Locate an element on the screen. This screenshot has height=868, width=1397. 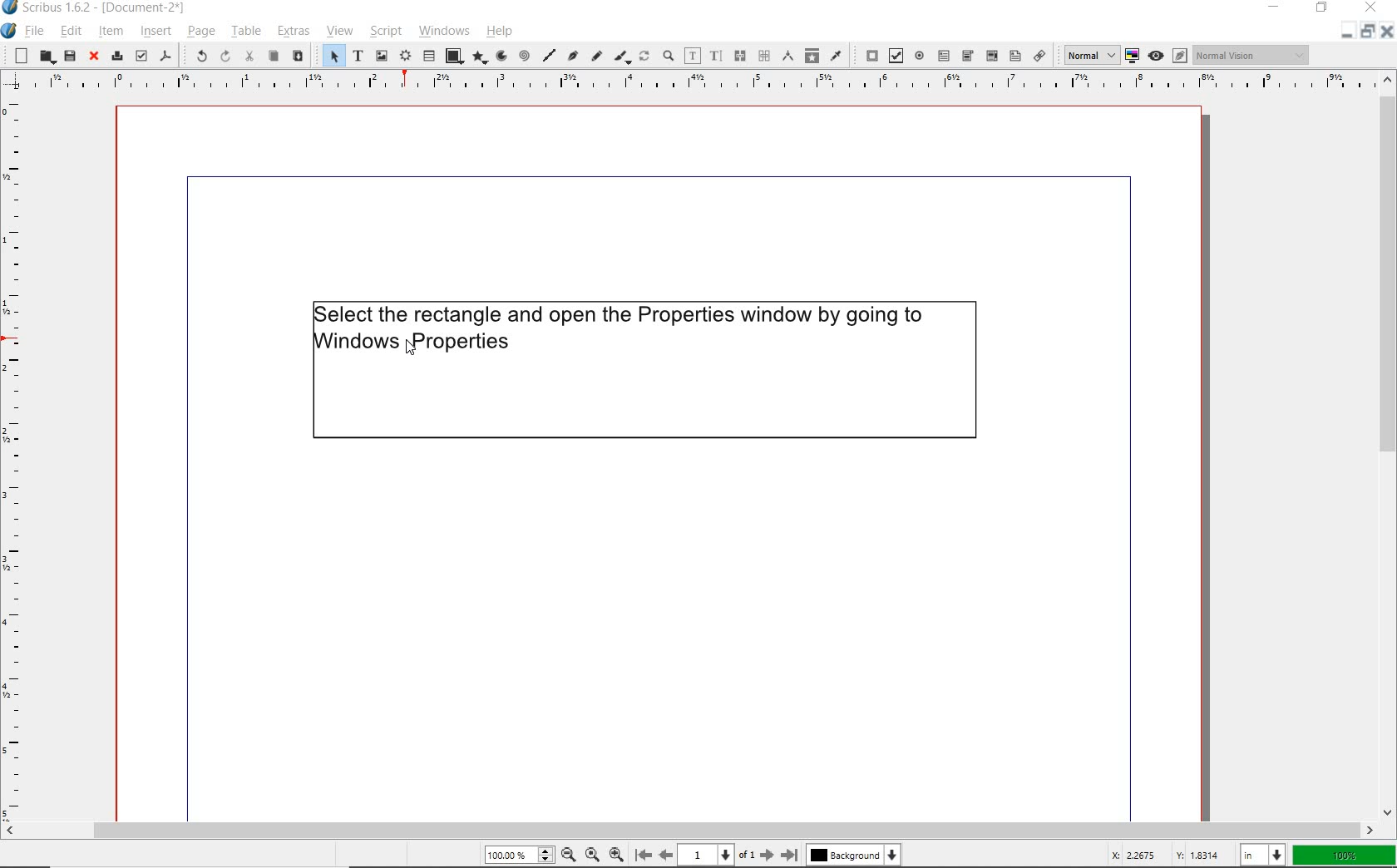
print is located at coordinates (116, 56).